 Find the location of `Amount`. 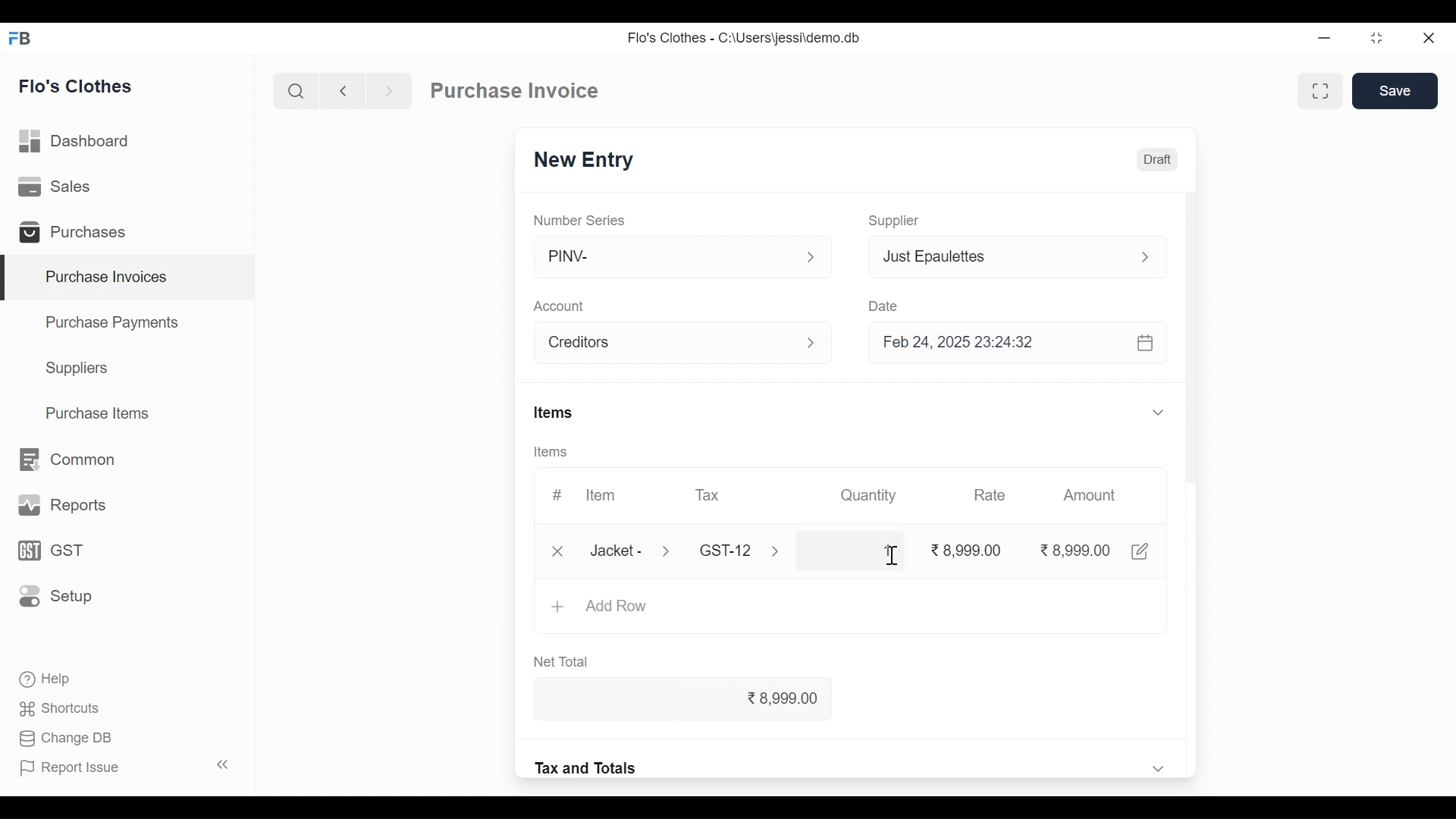

Amount is located at coordinates (1090, 495).